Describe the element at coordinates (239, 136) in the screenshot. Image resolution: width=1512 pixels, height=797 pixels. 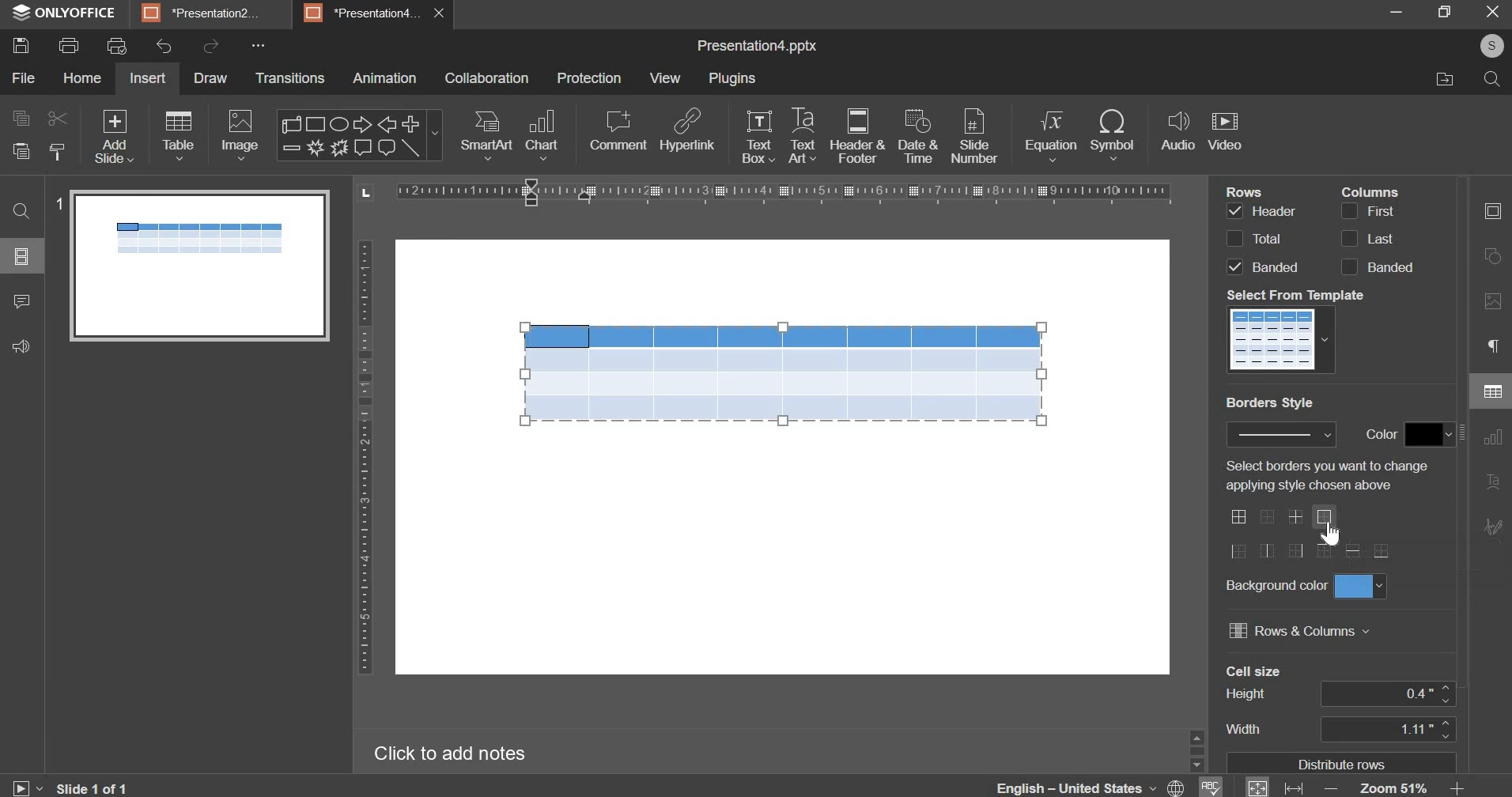
I see `image` at that location.